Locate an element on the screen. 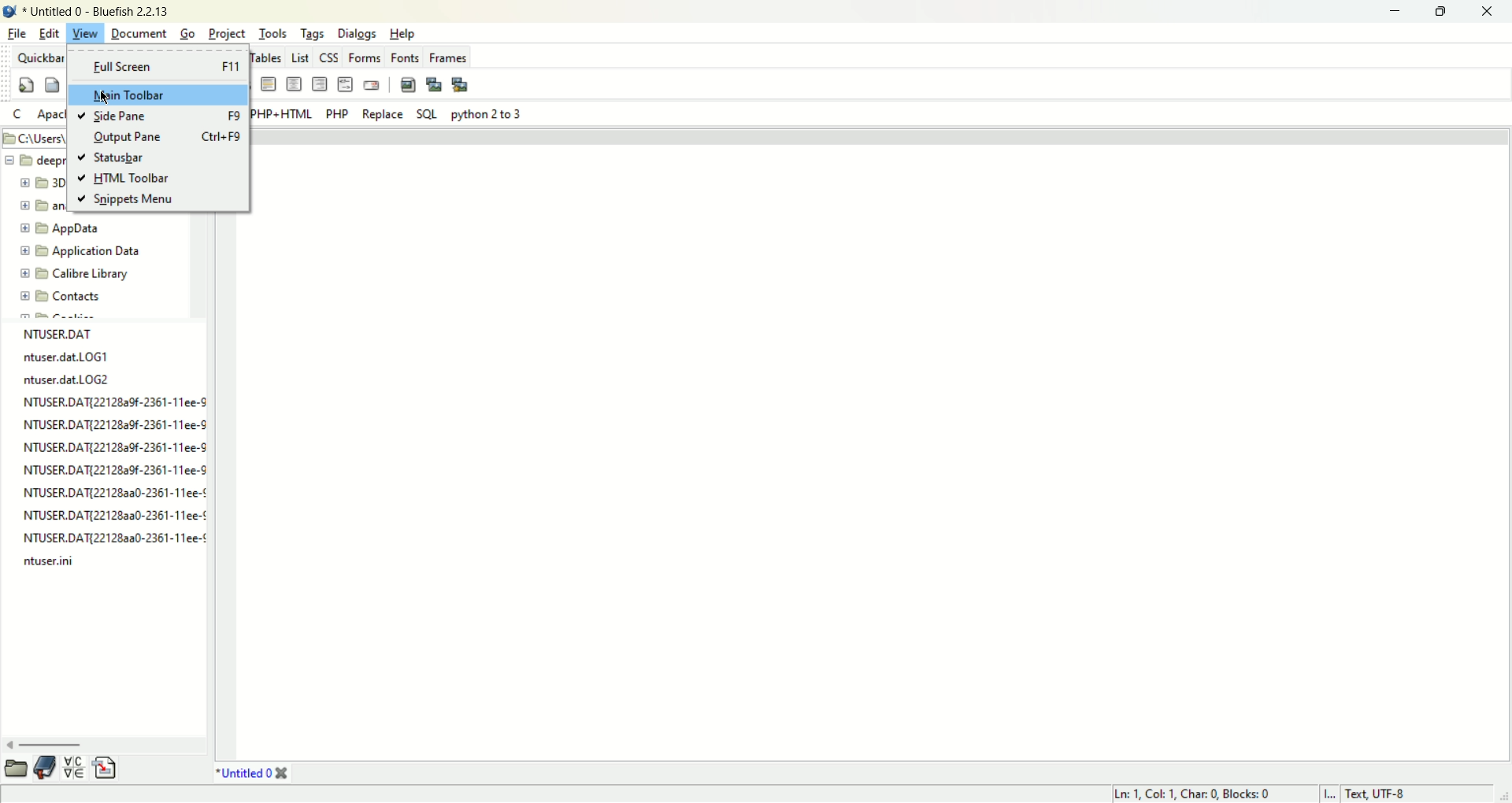  ntuser.ini is located at coordinates (47, 561).